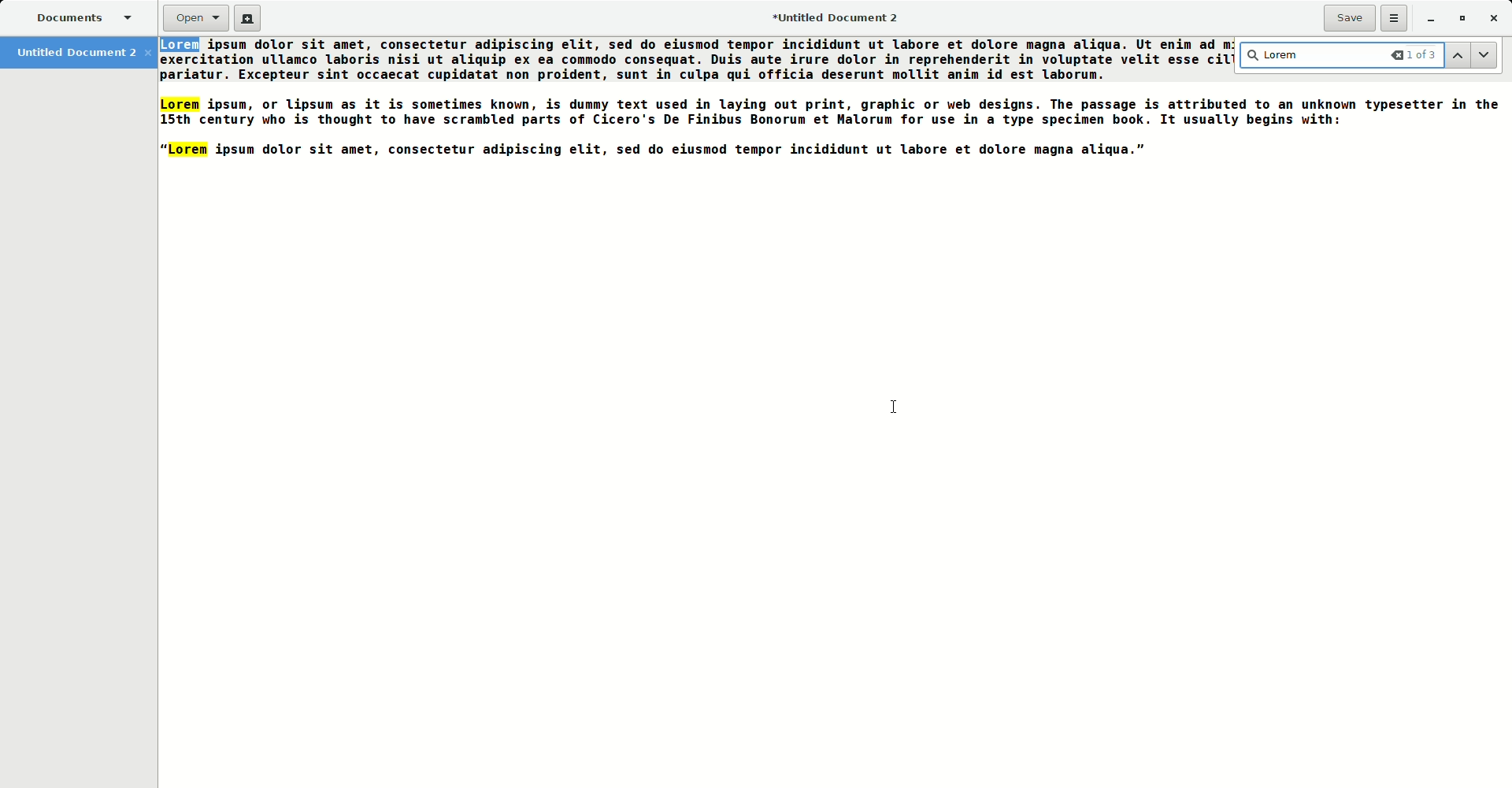 The width and height of the screenshot is (1512, 788). What do you see at coordinates (187, 151) in the screenshot?
I see `Lorem - Highlighted` at bounding box center [187, 151].